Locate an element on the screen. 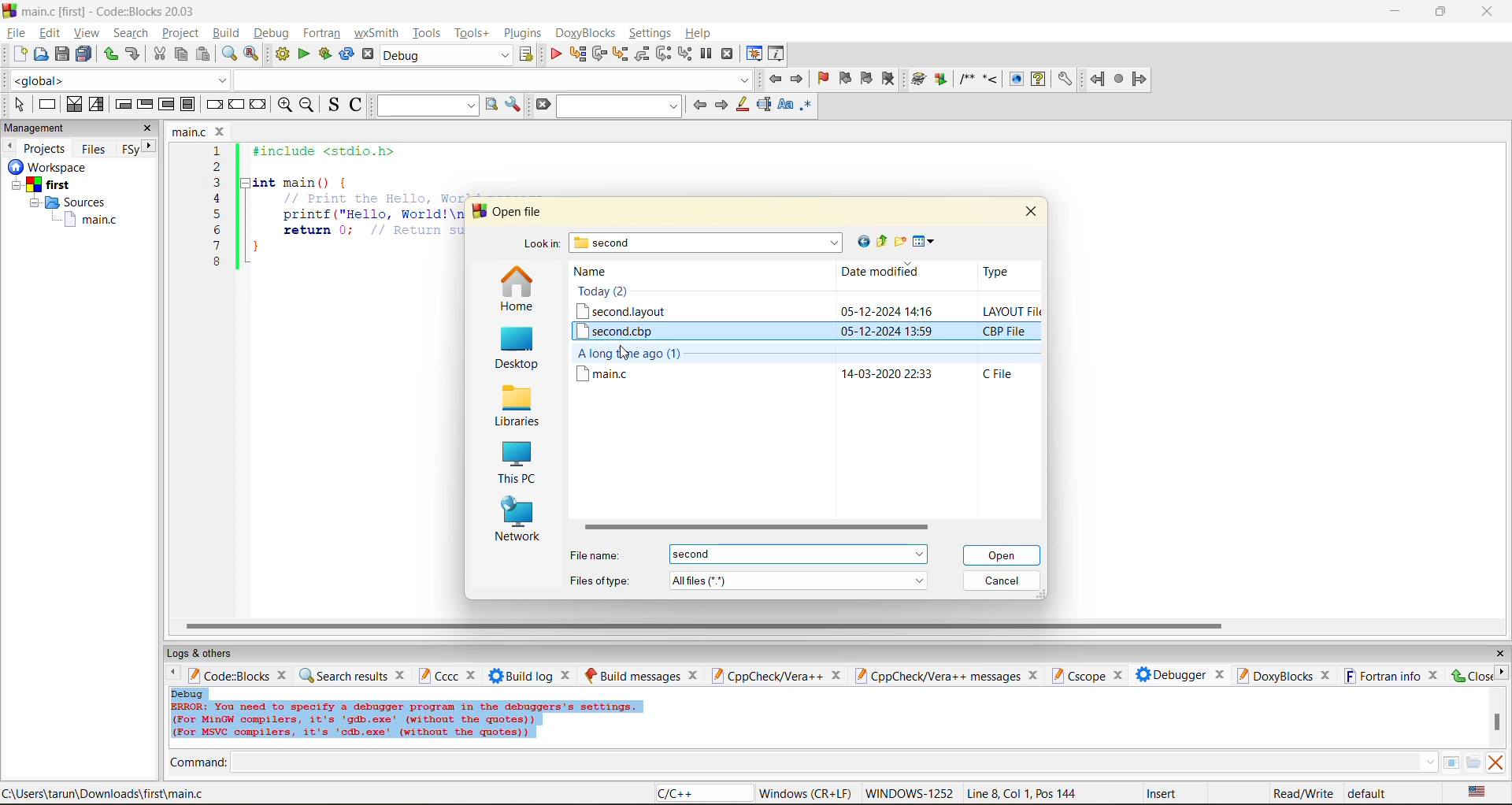 The height and width of the screenshot is (805, 1512). highlight is located at coordinates (741, 106).